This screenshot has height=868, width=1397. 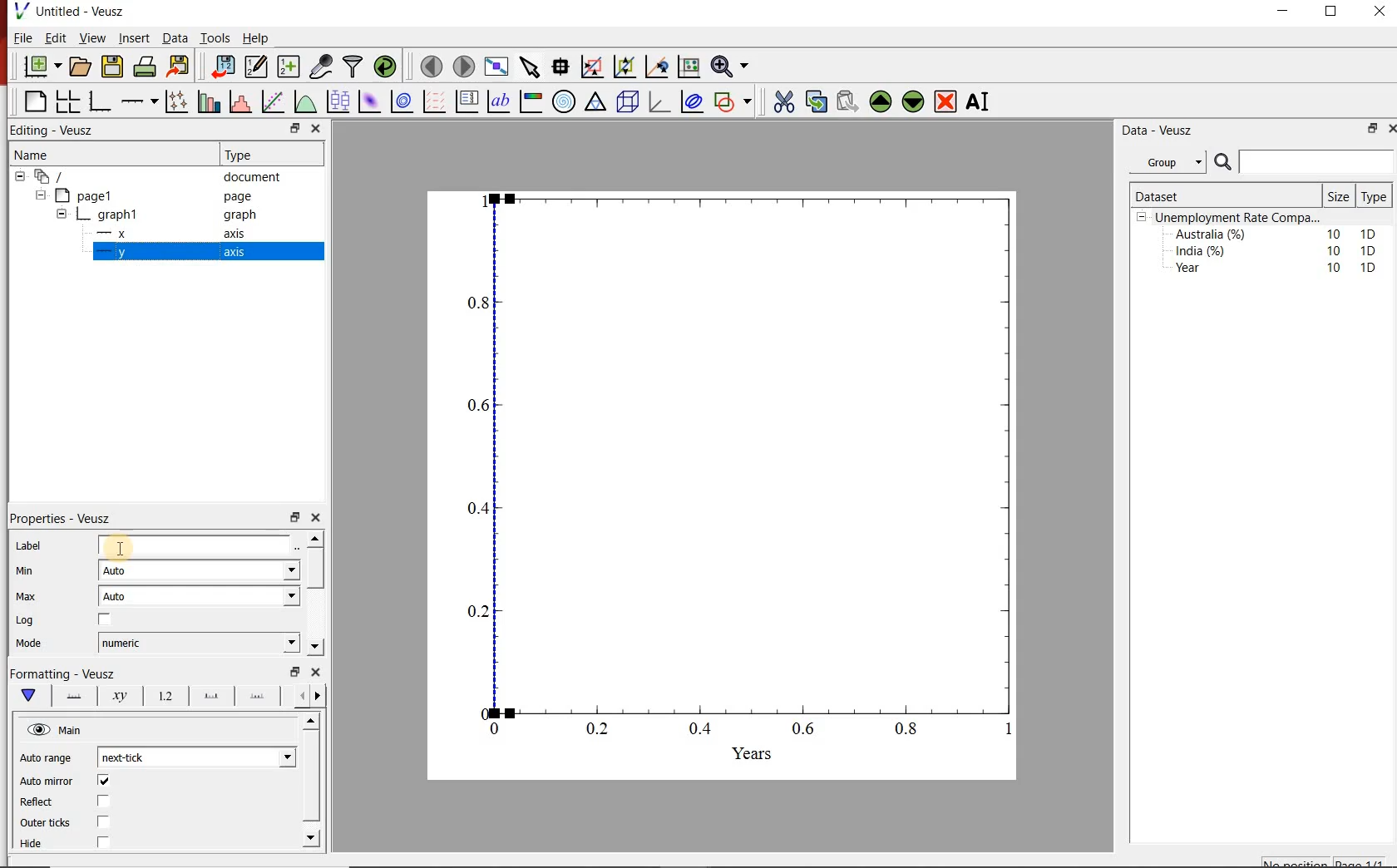 What do you see at coordinates (103, 842) in the screenshot?
I see `checkbox` at bounding box center [103, 842].